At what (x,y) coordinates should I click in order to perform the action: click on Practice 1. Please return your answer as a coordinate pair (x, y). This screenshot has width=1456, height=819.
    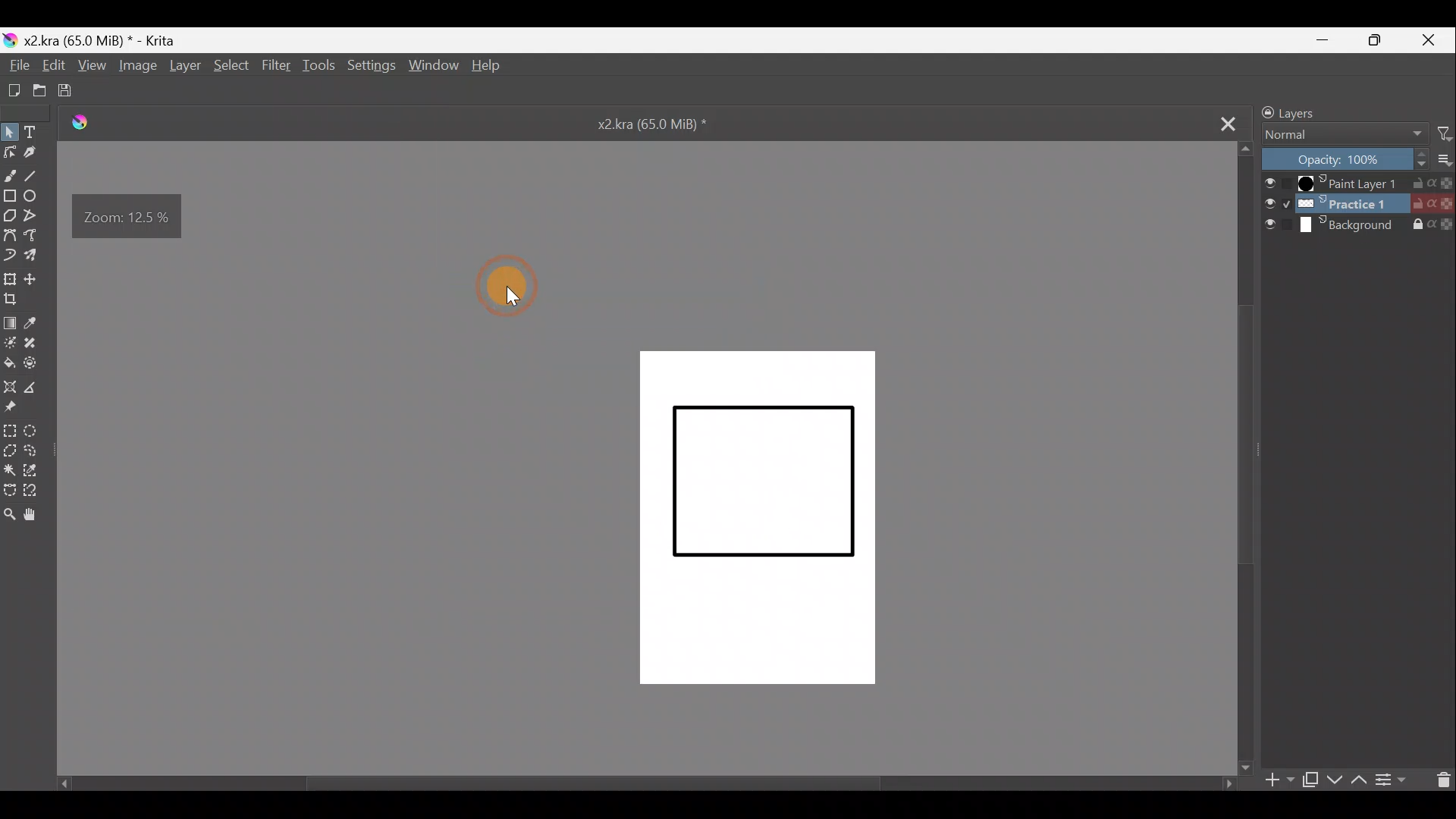
    Looking at the image, I should click on (1359, 203).